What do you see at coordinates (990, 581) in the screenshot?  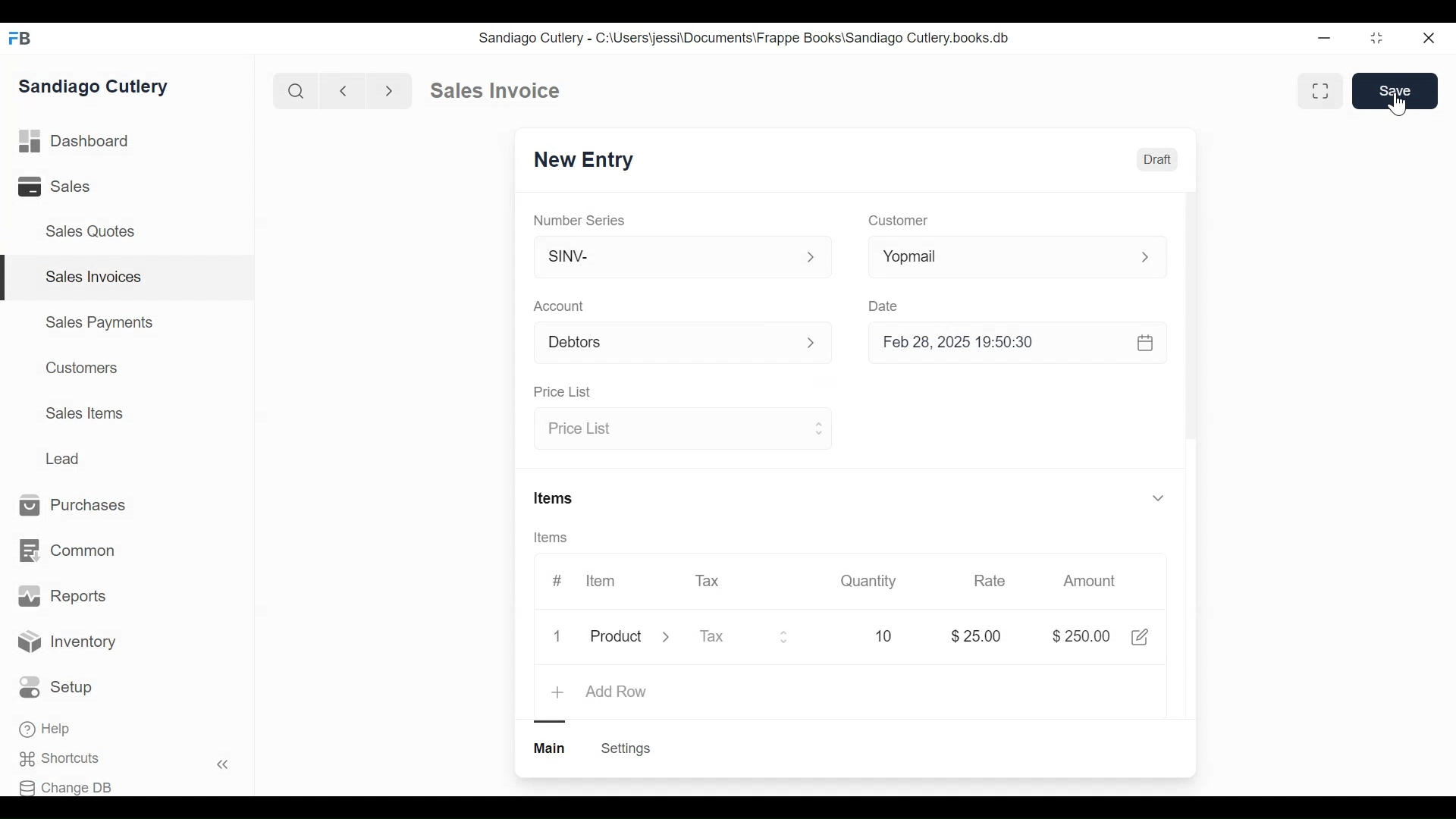 I see `Rate` at bounding box center [990, 581].